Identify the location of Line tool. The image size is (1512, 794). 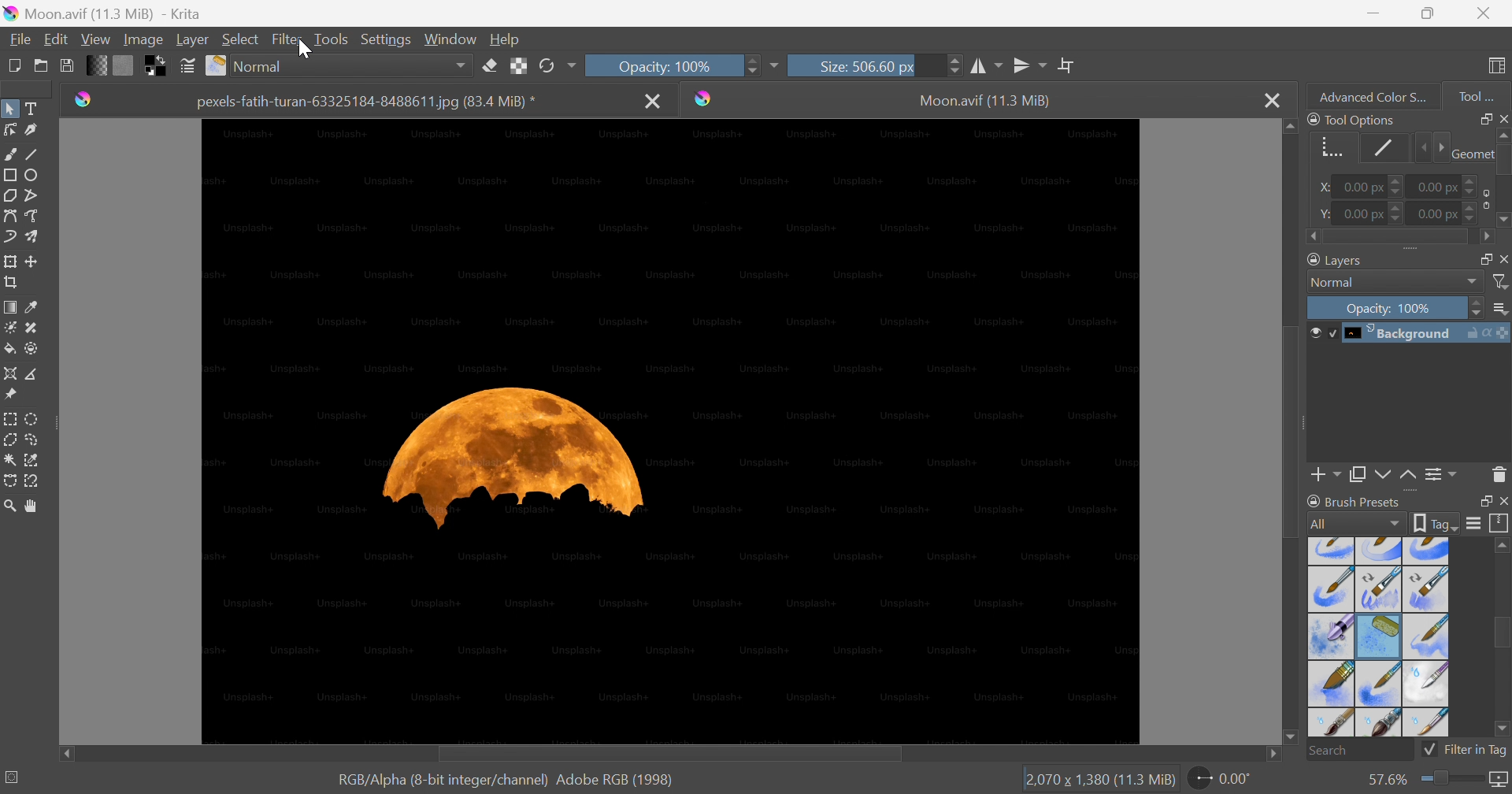
(32, 150).